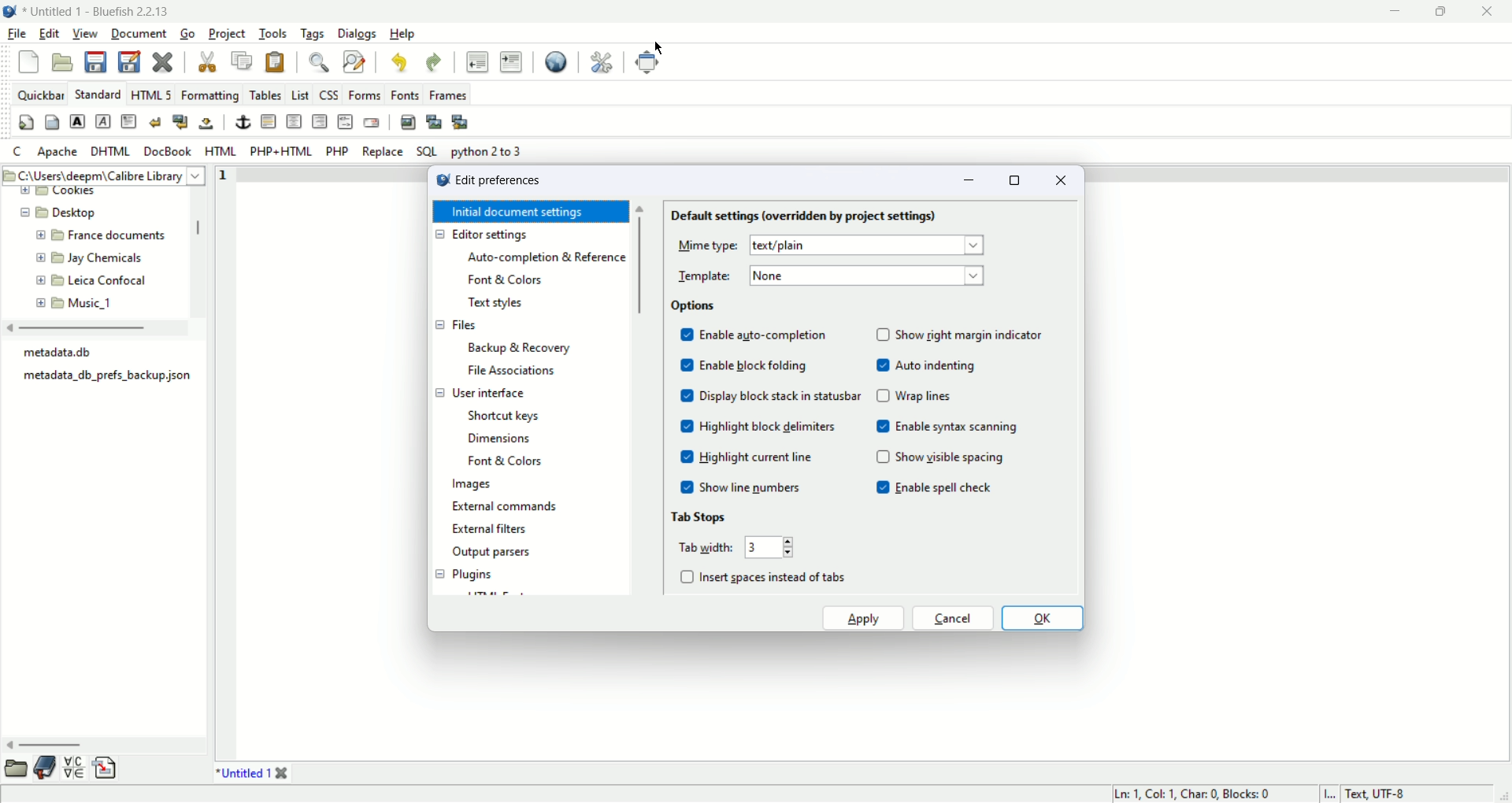 This screenshot has width=1512, height=803. Describe the element at coordinates (80, 212) in the screenshot. I see `Desktop` at that location.